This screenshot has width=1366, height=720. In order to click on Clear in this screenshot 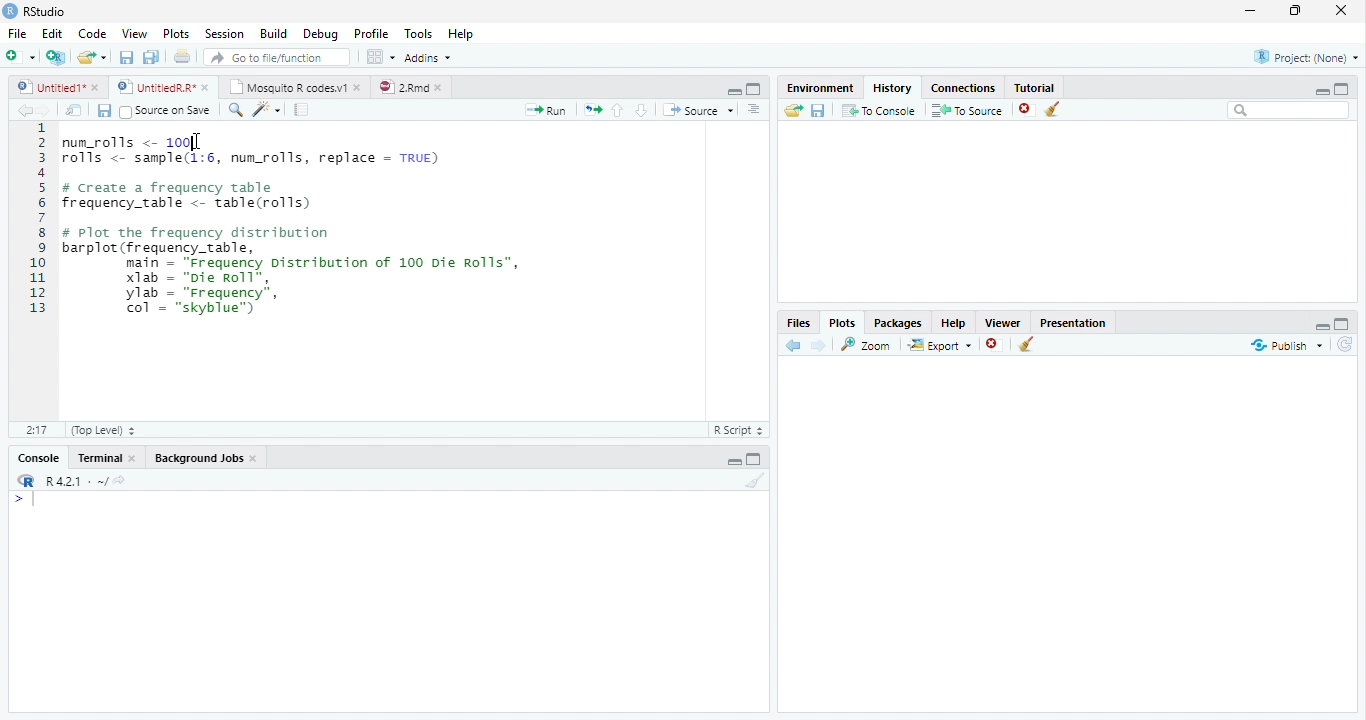, I will do `click(754, 480)`.